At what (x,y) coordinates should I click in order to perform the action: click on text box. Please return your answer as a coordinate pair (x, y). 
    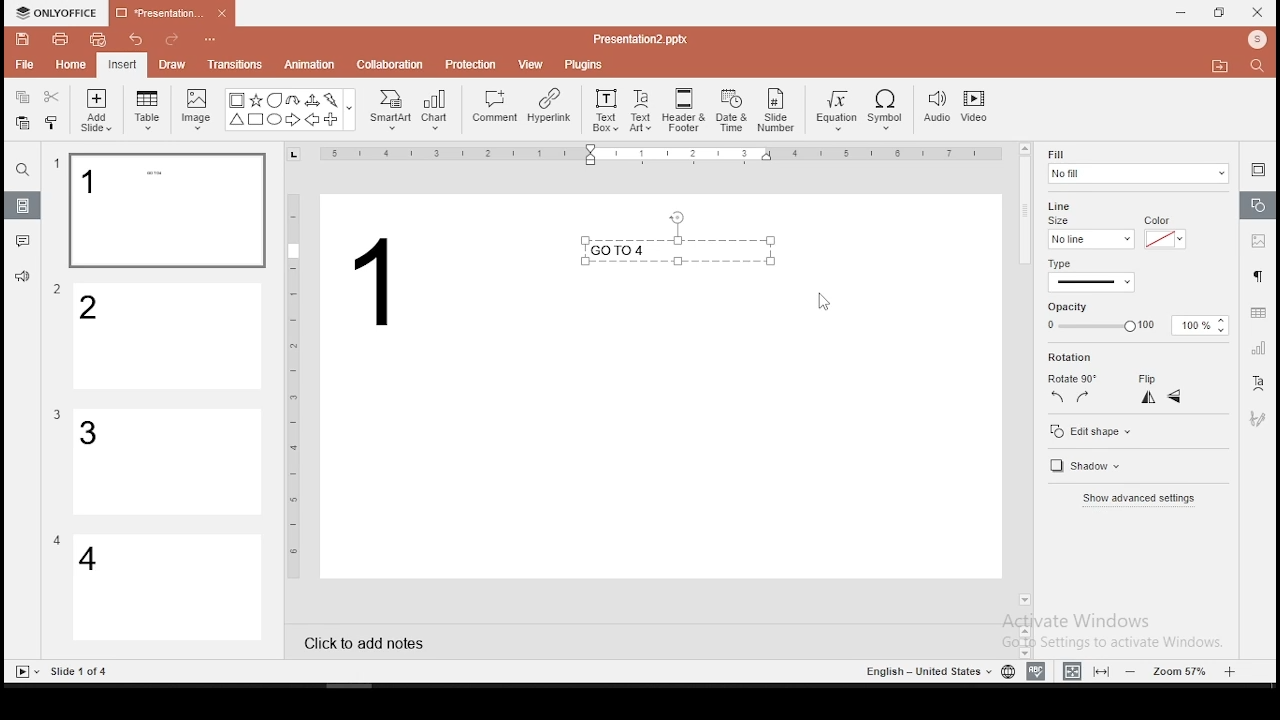
    Looking at the image, I should click on (604, 108).